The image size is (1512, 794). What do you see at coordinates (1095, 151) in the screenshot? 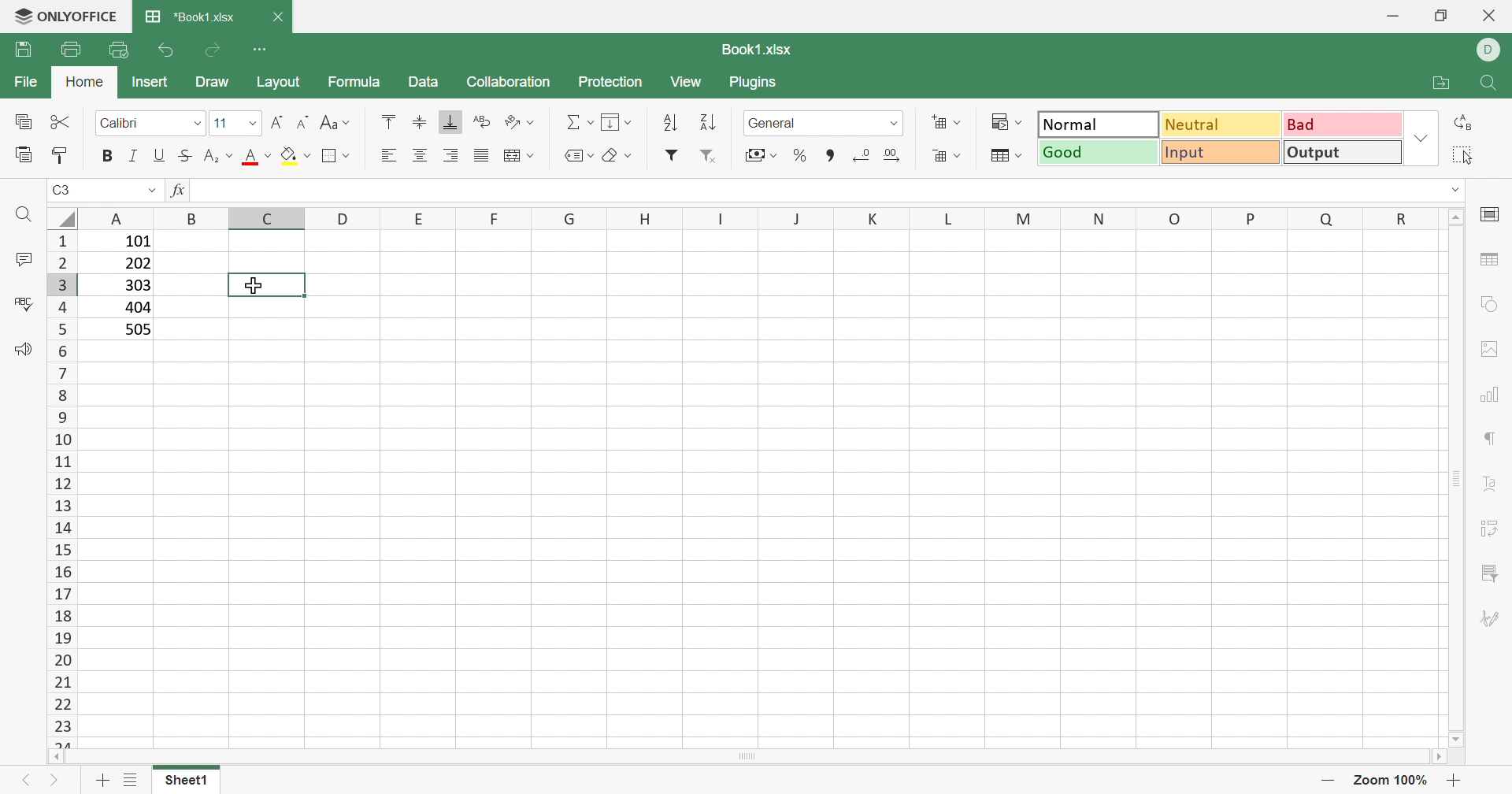
I see `Good` at bounding box center [1095, 151].